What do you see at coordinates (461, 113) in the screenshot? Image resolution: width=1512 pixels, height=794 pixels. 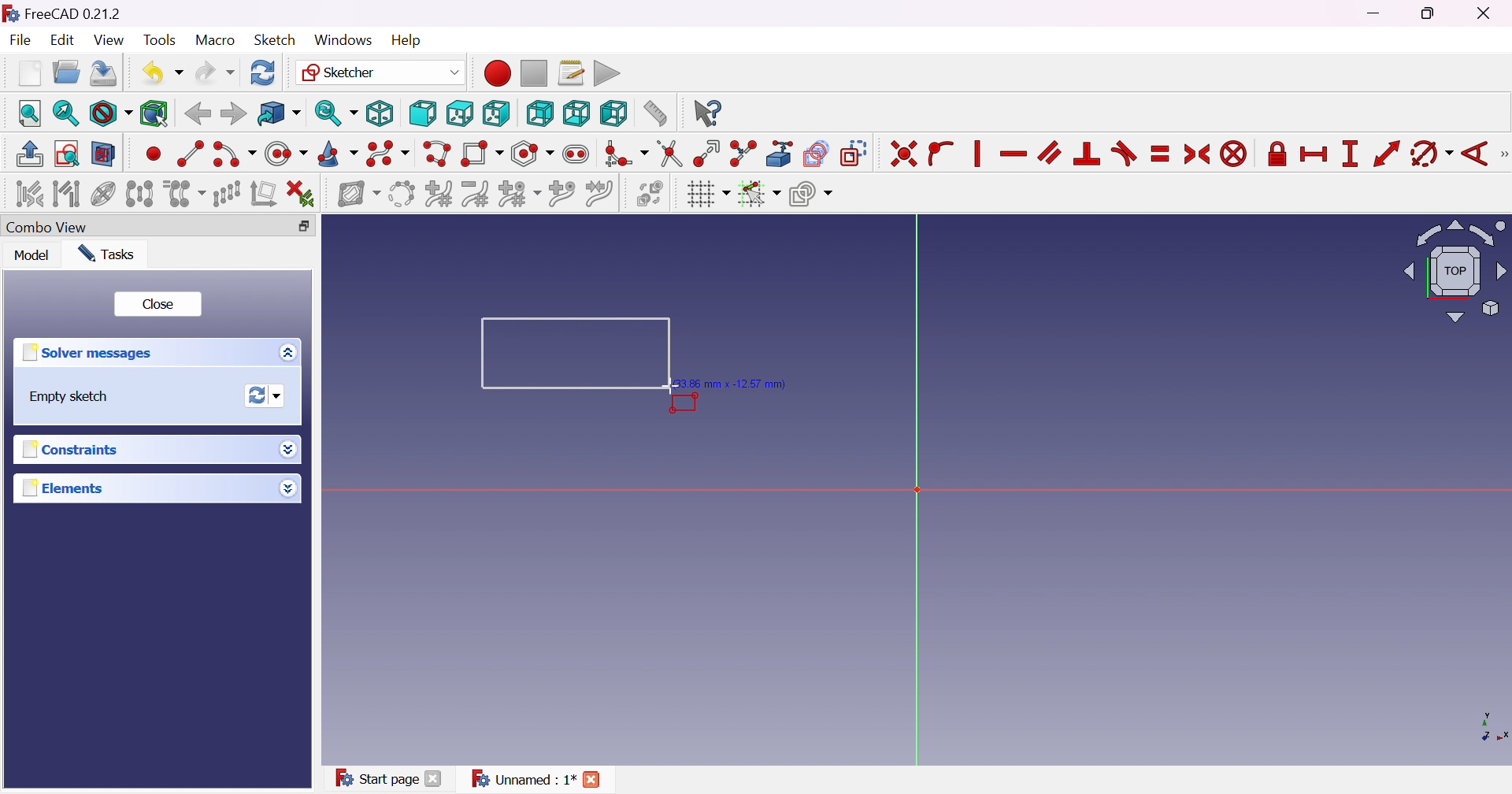 I see `Top` at bounding box center [461, 113].